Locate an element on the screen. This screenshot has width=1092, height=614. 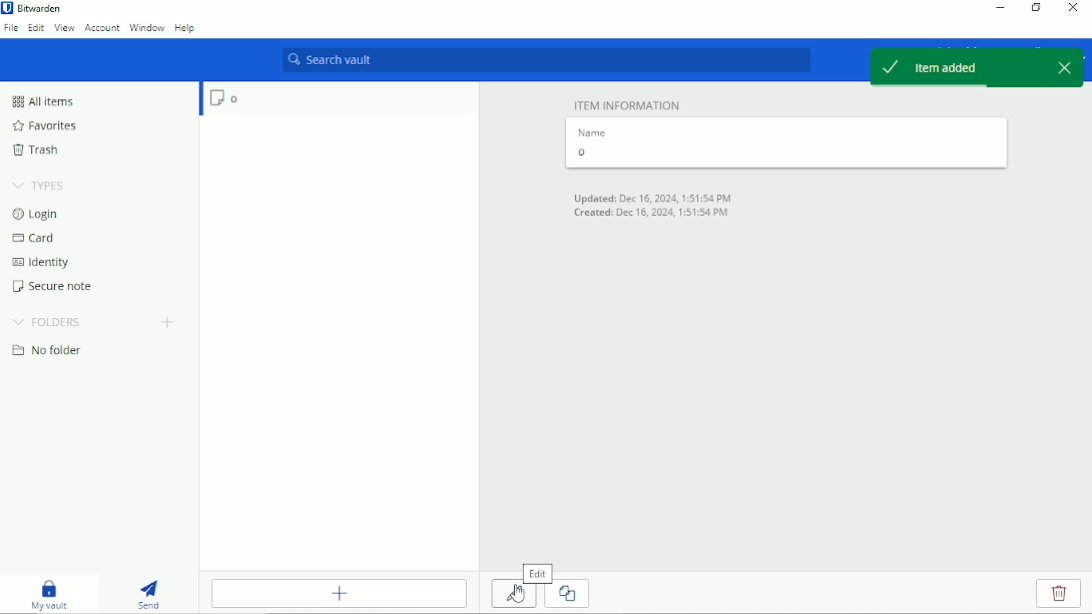
Restore down is located at coordinates (1034, 8).